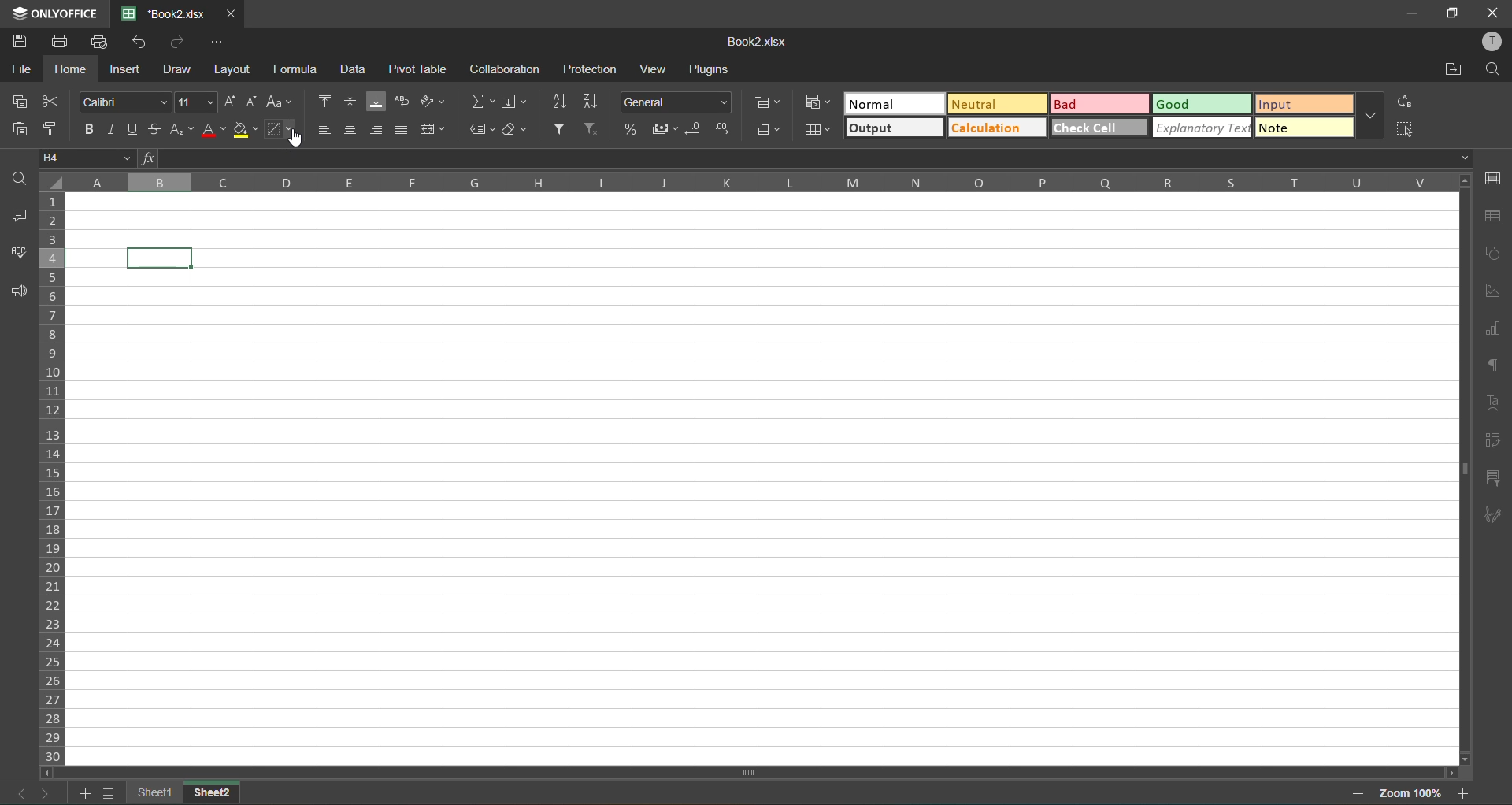 The height and width of the screenshot is (805, 1512). I want to click on zoom out, so click(1364, 793).